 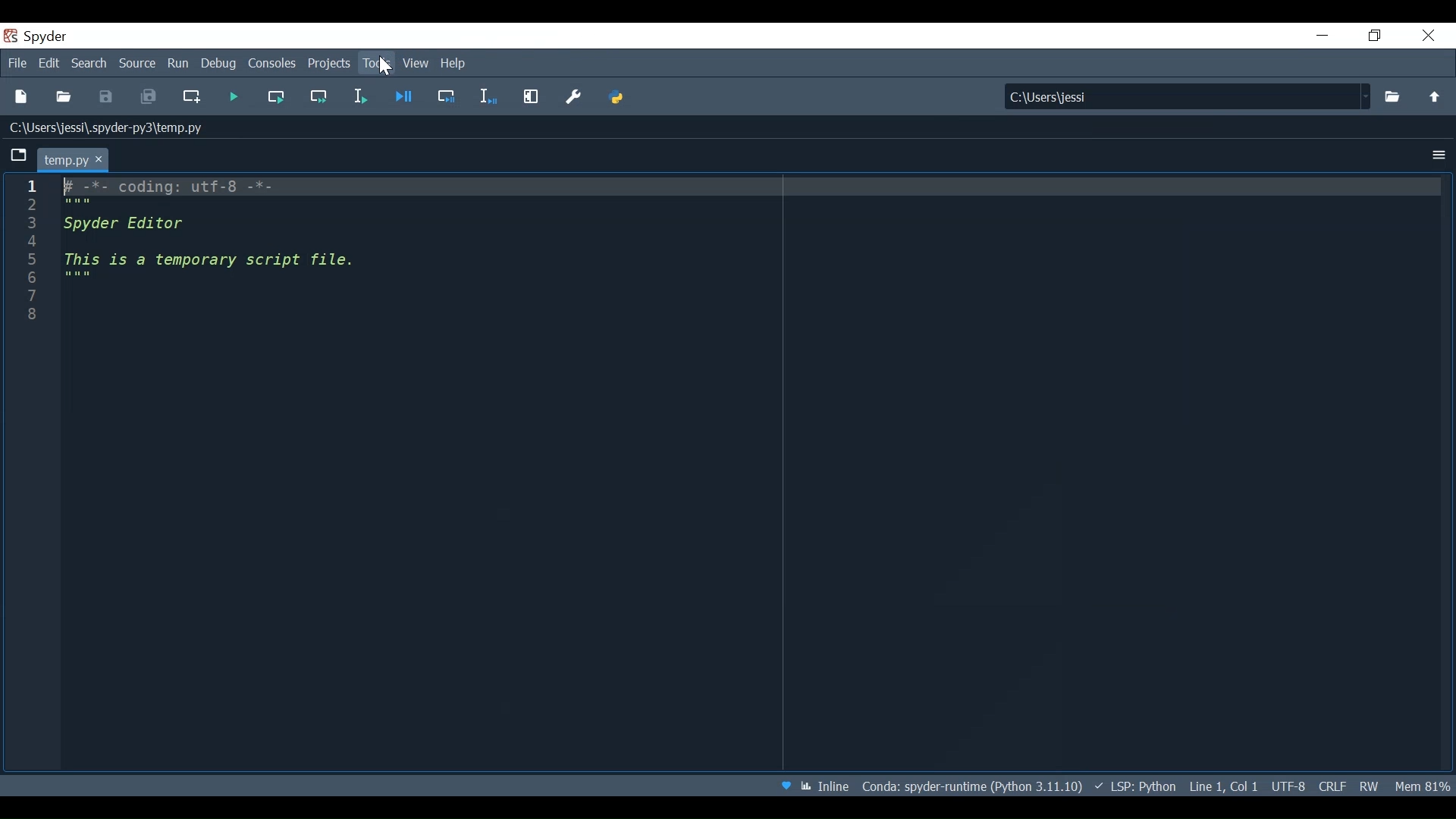 I want to click on File EQL Status, so click(x=1330, y=786).